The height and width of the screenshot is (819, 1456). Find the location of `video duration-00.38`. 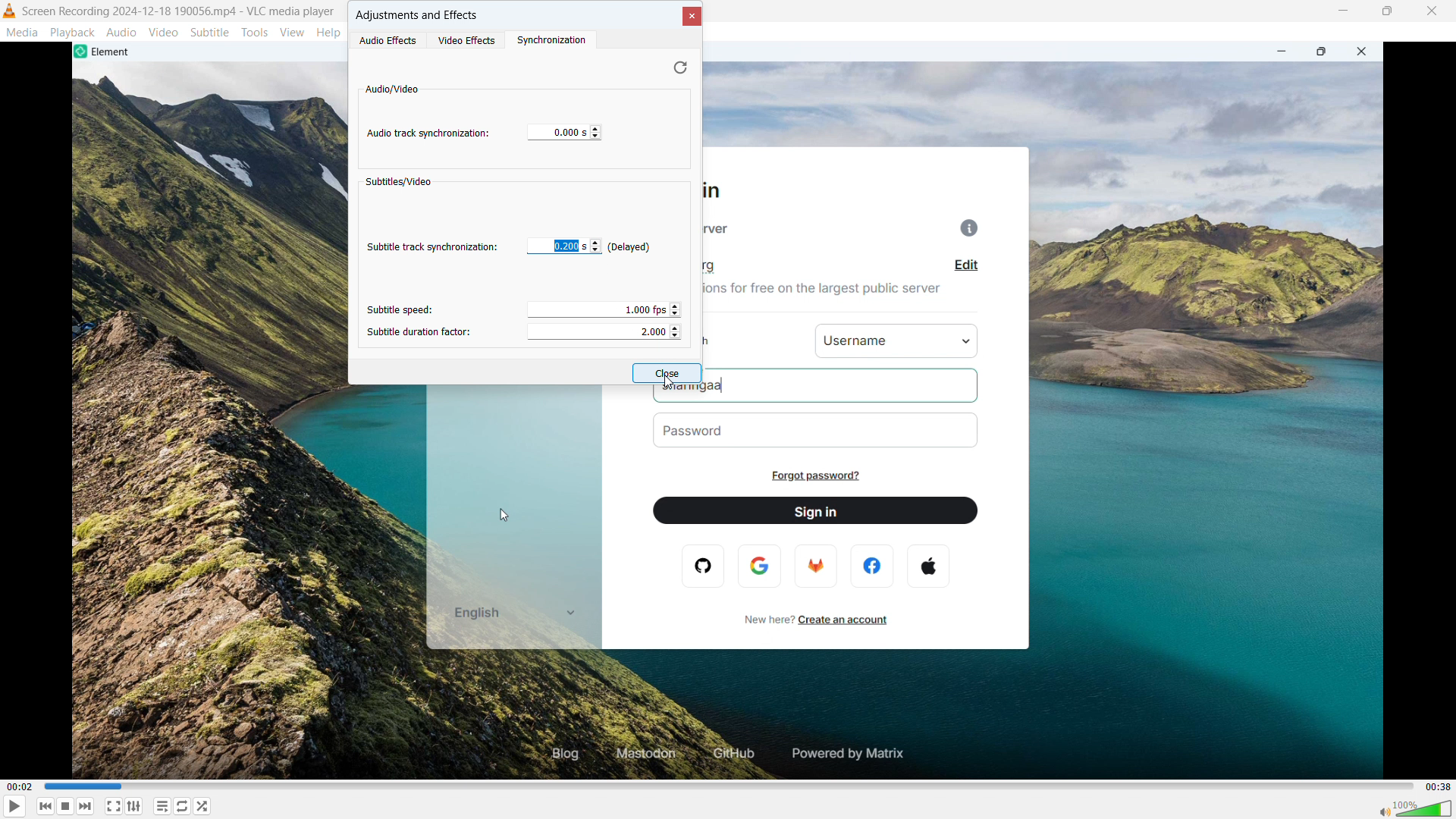

video duration-00.38 is located at coordinates (1438, 786).